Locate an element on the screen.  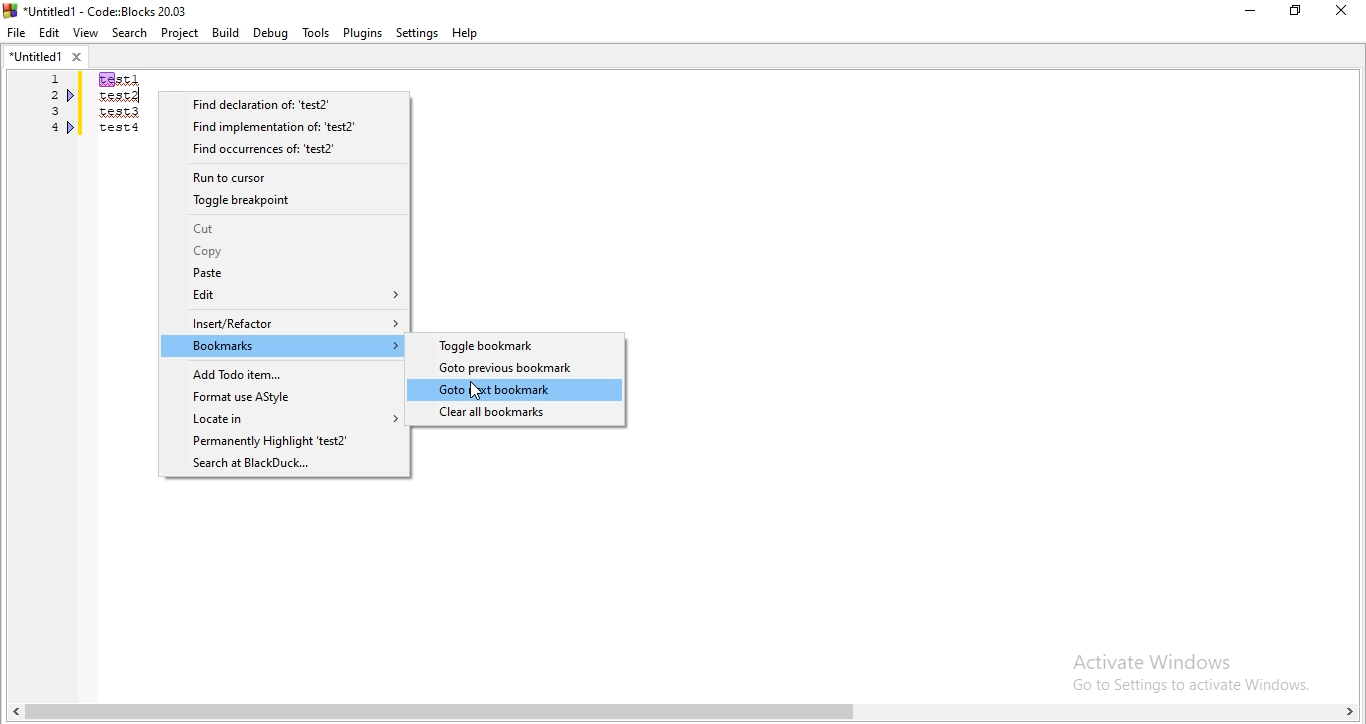
Search  is located at coordinates (127, 32).